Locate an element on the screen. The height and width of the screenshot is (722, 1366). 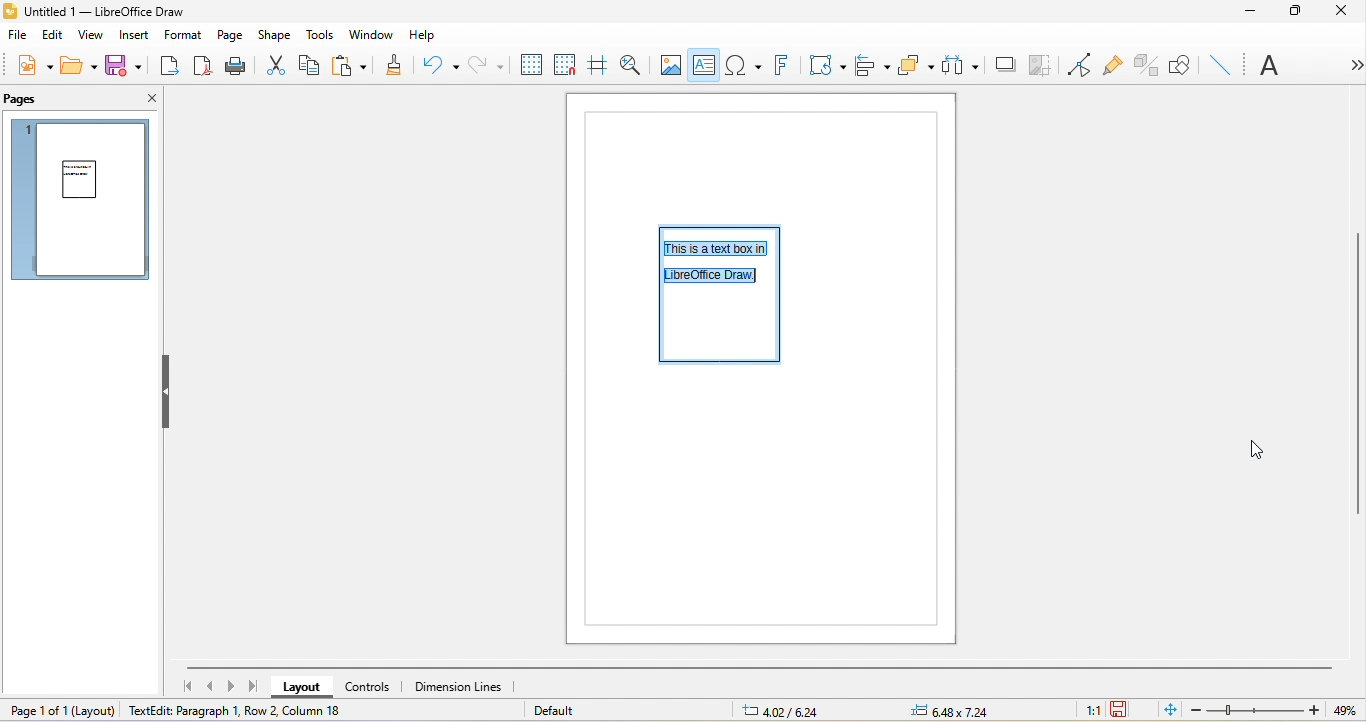
window is located at coordinates (371, 36).